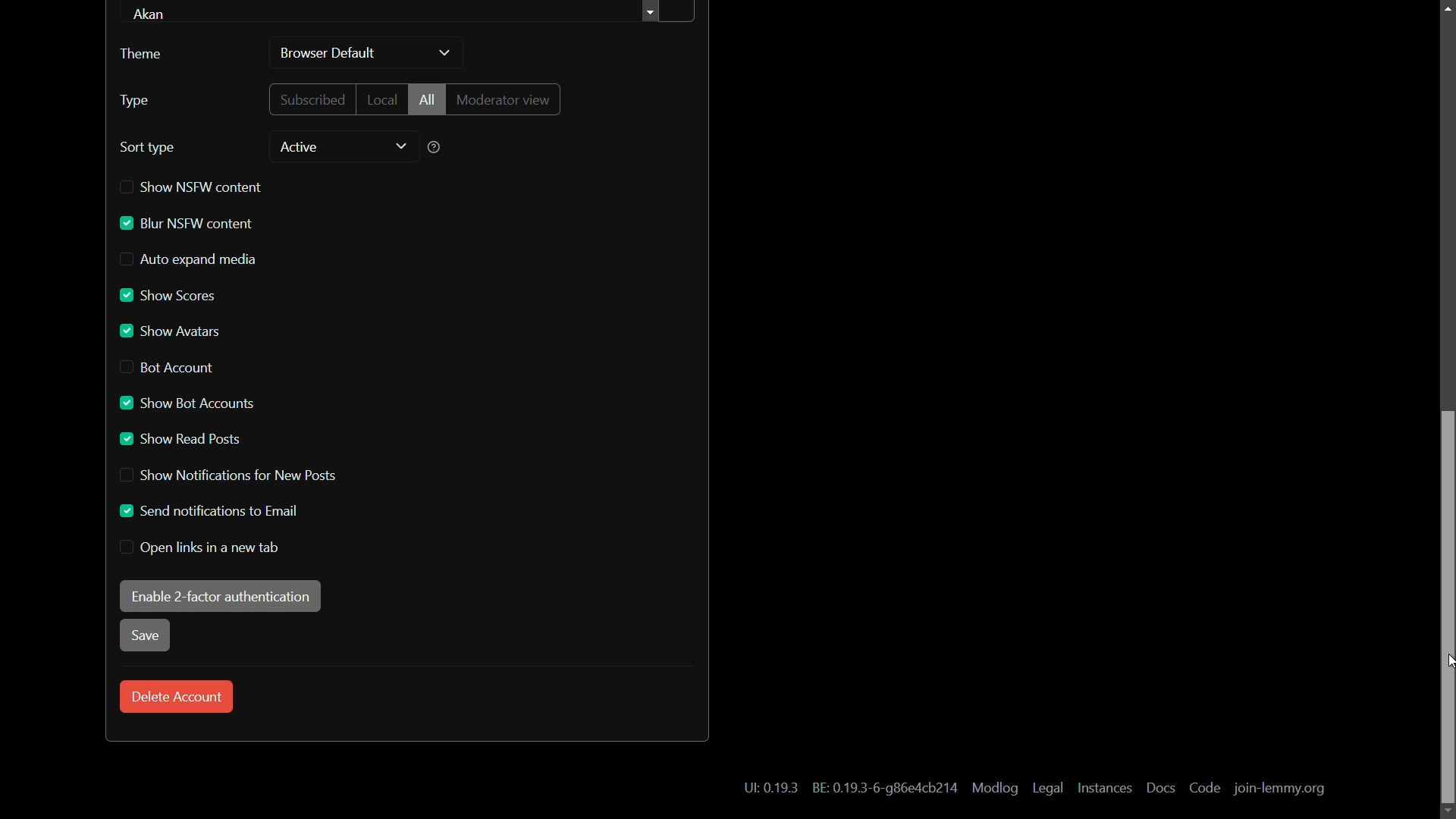 Image resolution: width=1456 pixels, height=819 pixels. What do you see at coordinates (313, 99) in the screenshot?
I see `subscribed` at bounding box center [313, 99].